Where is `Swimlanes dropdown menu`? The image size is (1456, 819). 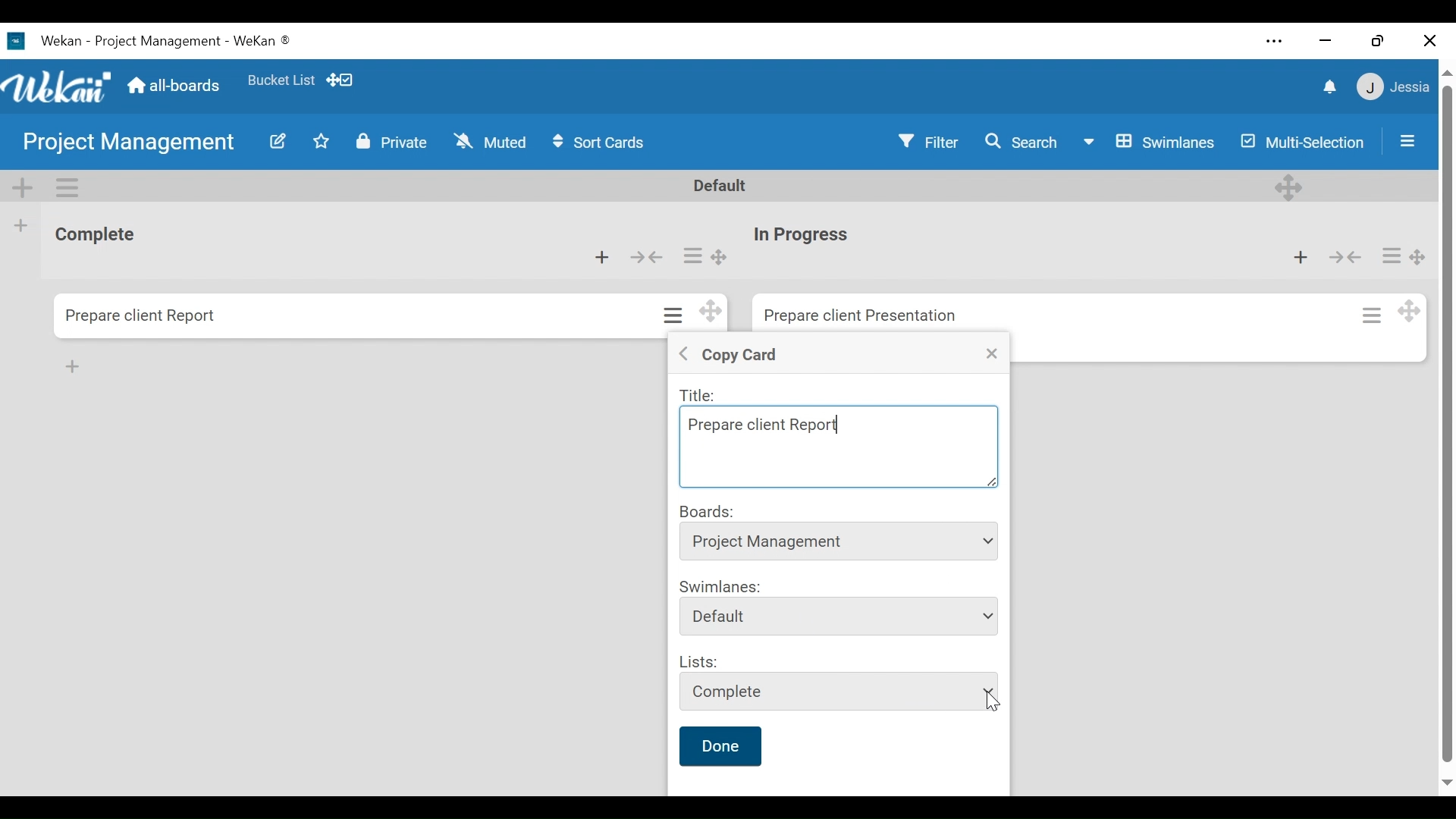 Swimlanes dropdown menu is located at coordinates (843, 617).